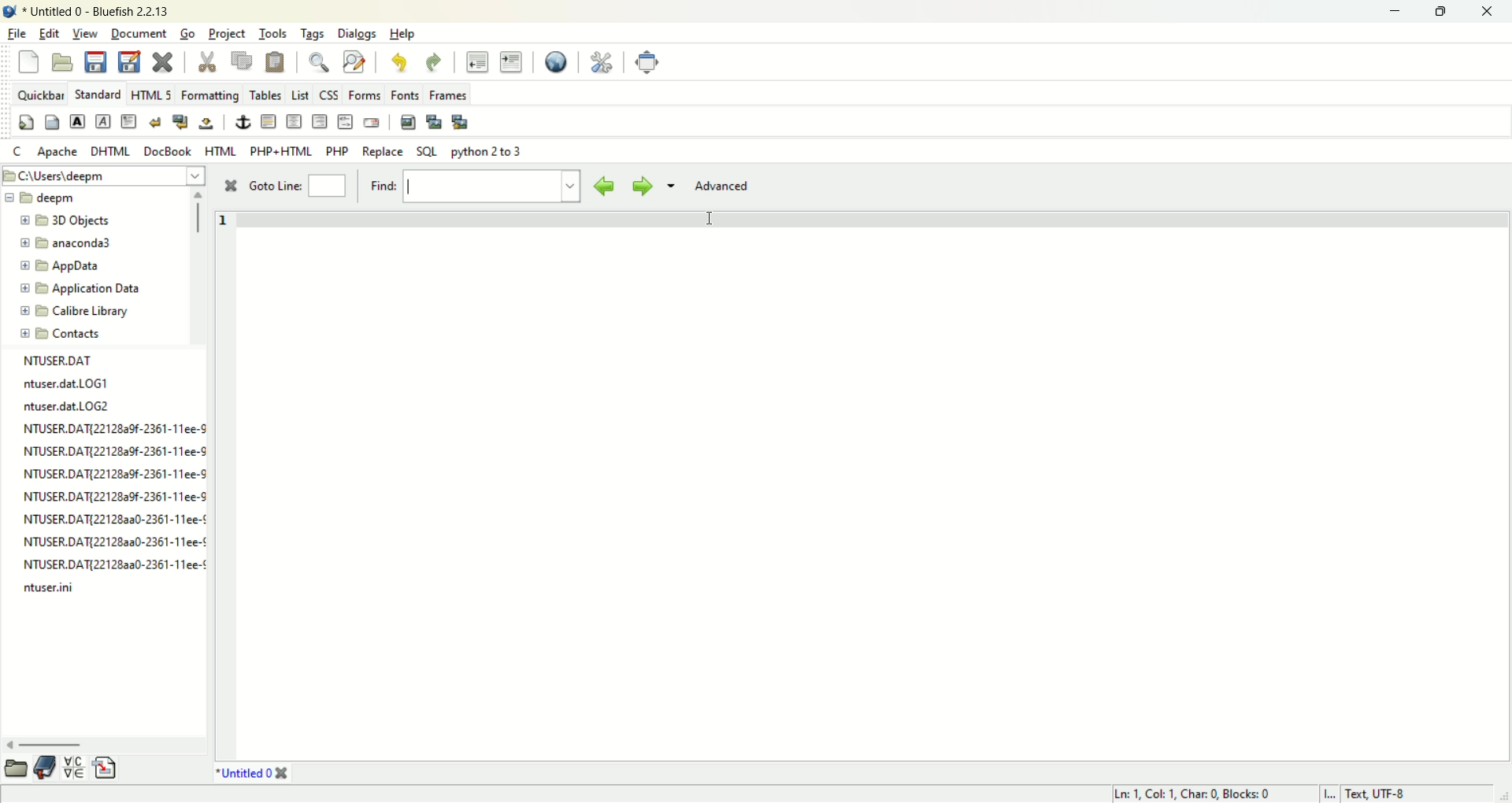 This screenshot has height=803, width=1512. What do you see at coordinates (328, 94) in the screenshot?
I see `CSS` at bounding box center [328, 94].